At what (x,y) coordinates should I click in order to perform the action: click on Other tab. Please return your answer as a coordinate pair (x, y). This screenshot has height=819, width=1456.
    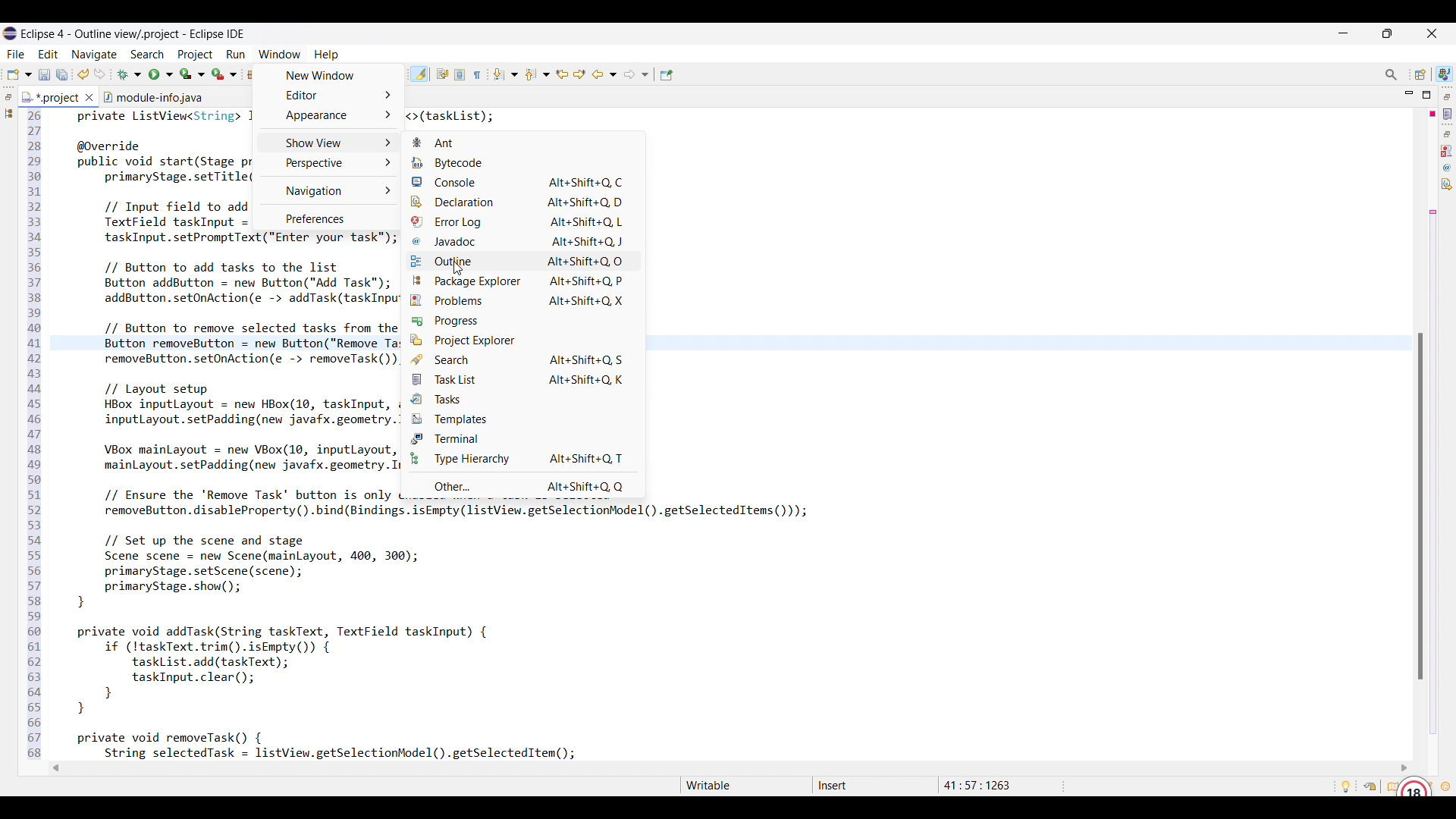
    Looking at the image, I should click on (152, 96).